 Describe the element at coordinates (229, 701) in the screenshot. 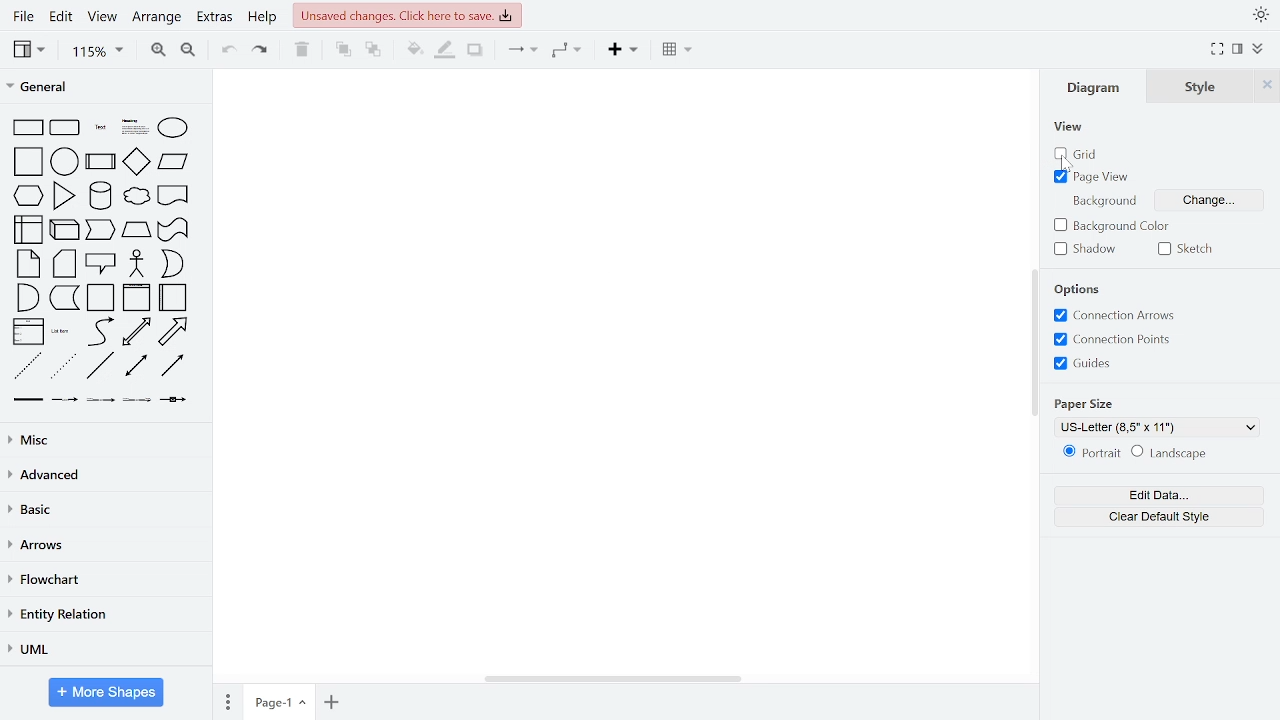

I see `pages` at that location.